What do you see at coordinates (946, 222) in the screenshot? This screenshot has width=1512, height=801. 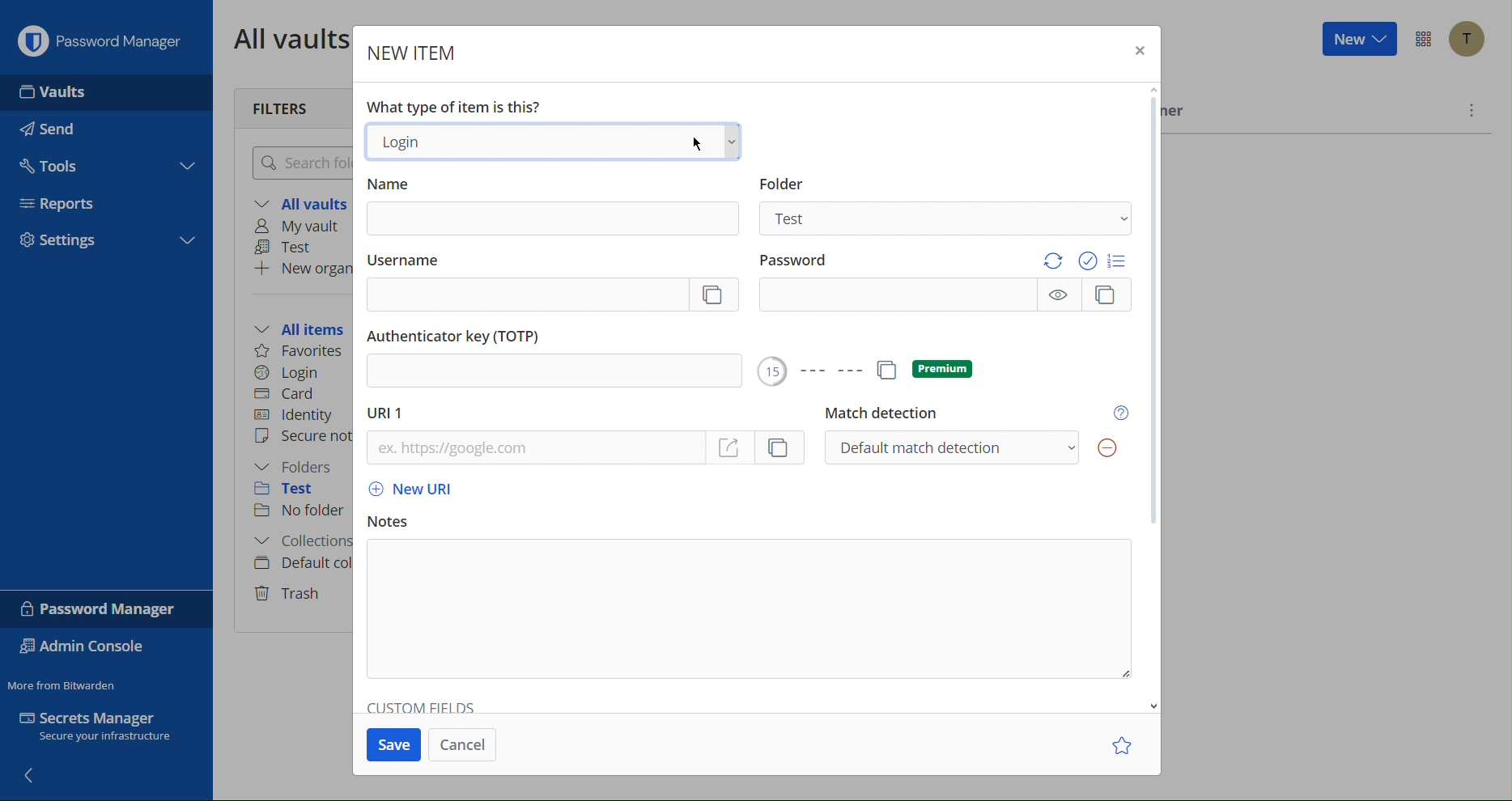 I see `Test` at bounding box center [946, 222].